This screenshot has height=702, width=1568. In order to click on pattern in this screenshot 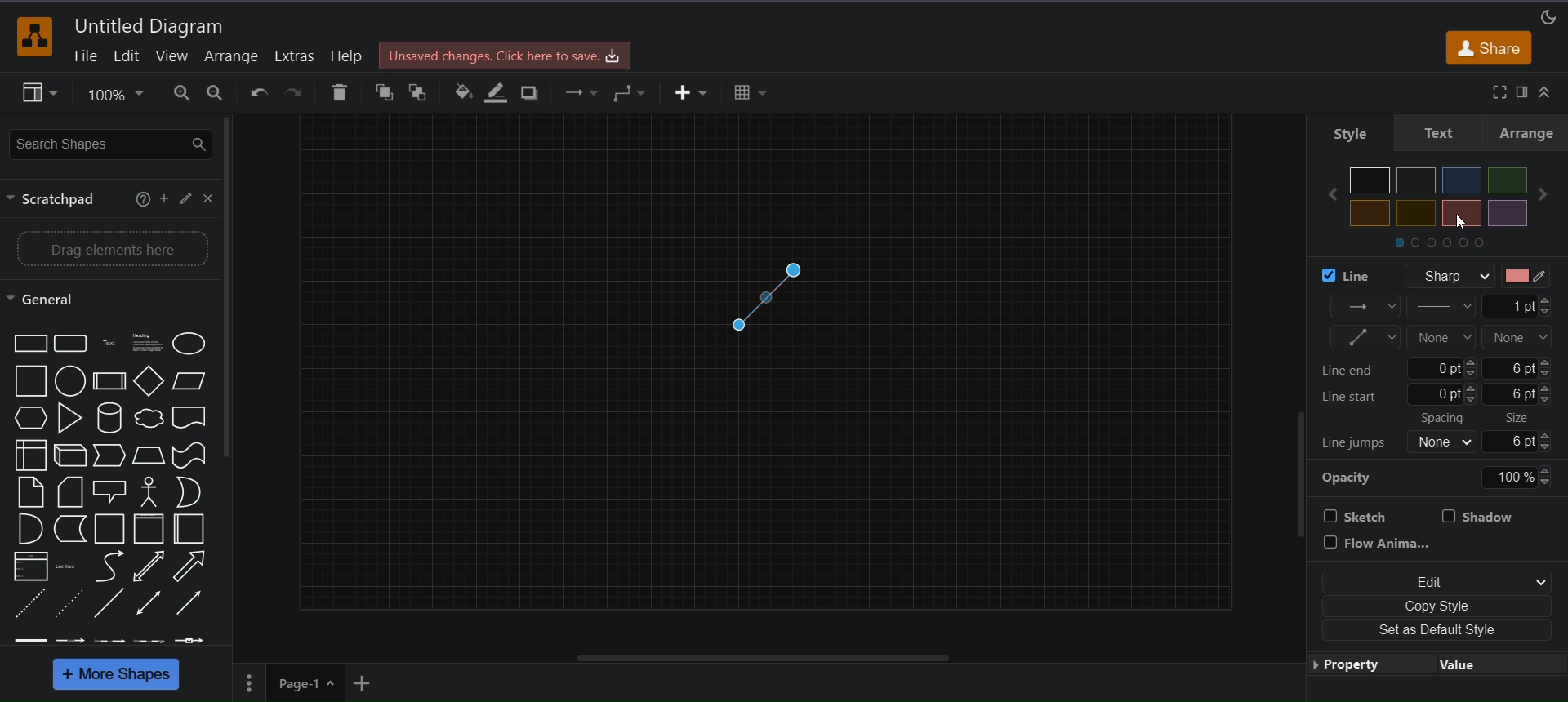, I will do `click(1441, 305)`.